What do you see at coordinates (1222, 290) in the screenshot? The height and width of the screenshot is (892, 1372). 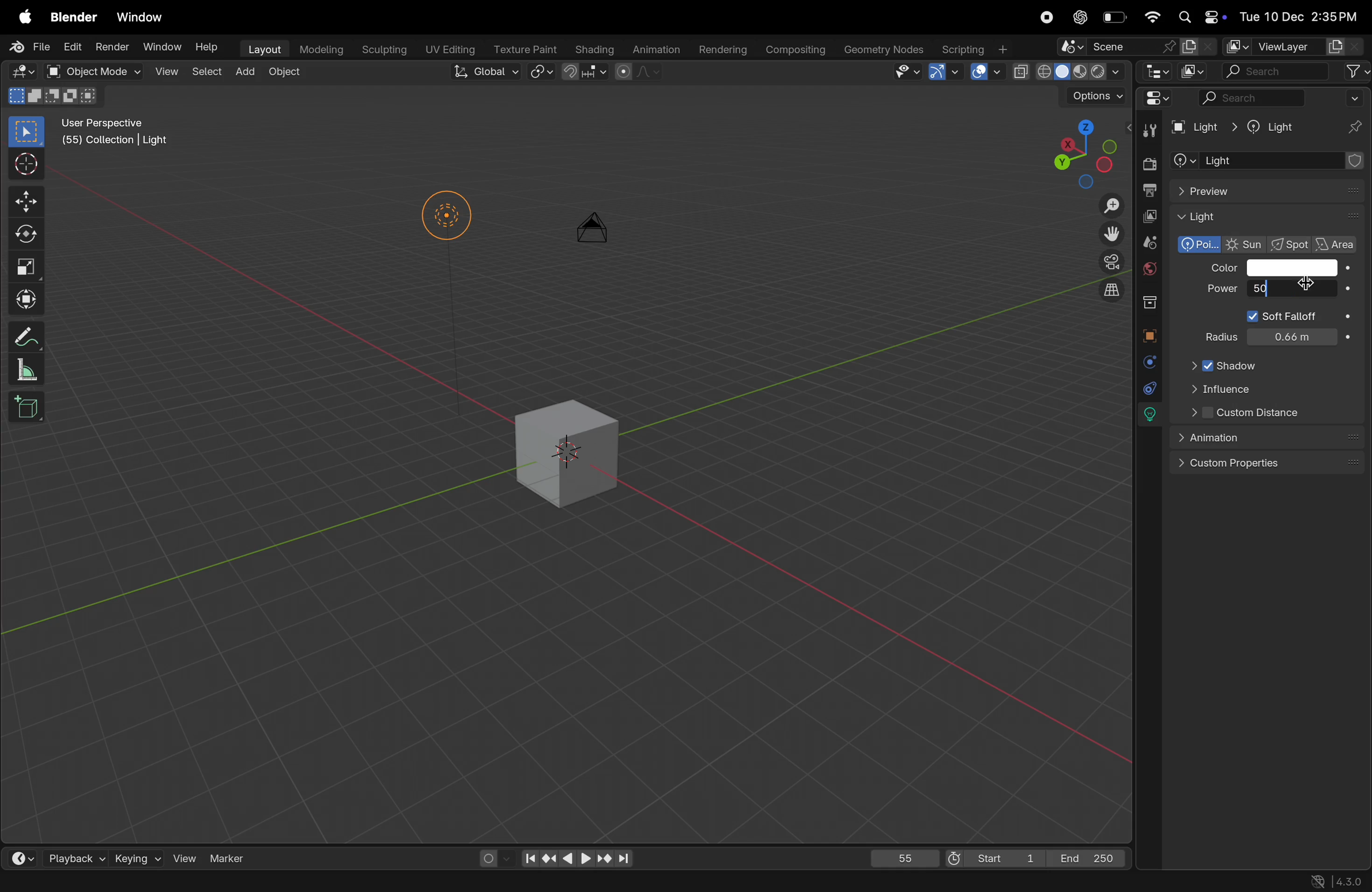 I see `Power` at bounding box center [1222, 290].